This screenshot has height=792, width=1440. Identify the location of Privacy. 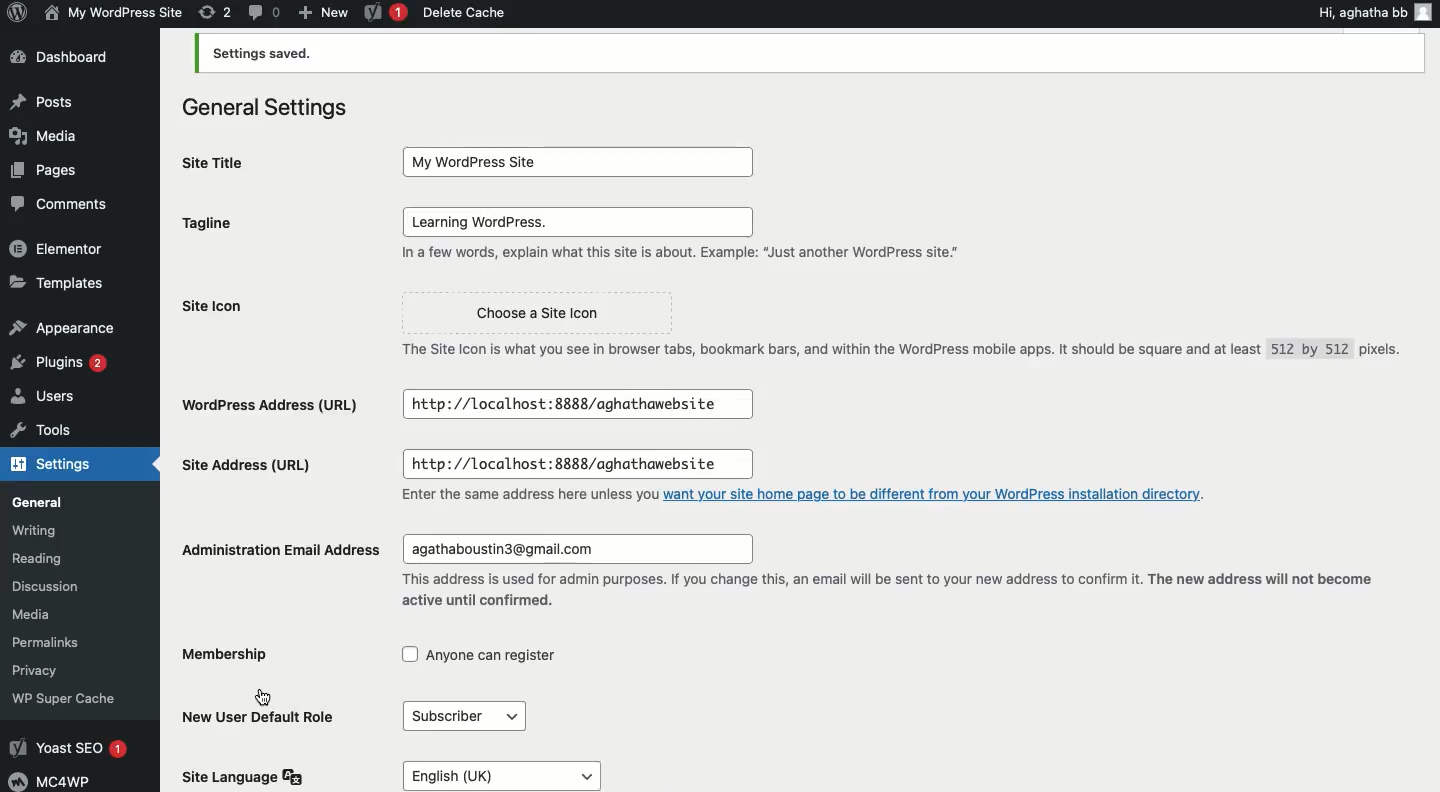
(41, 668).